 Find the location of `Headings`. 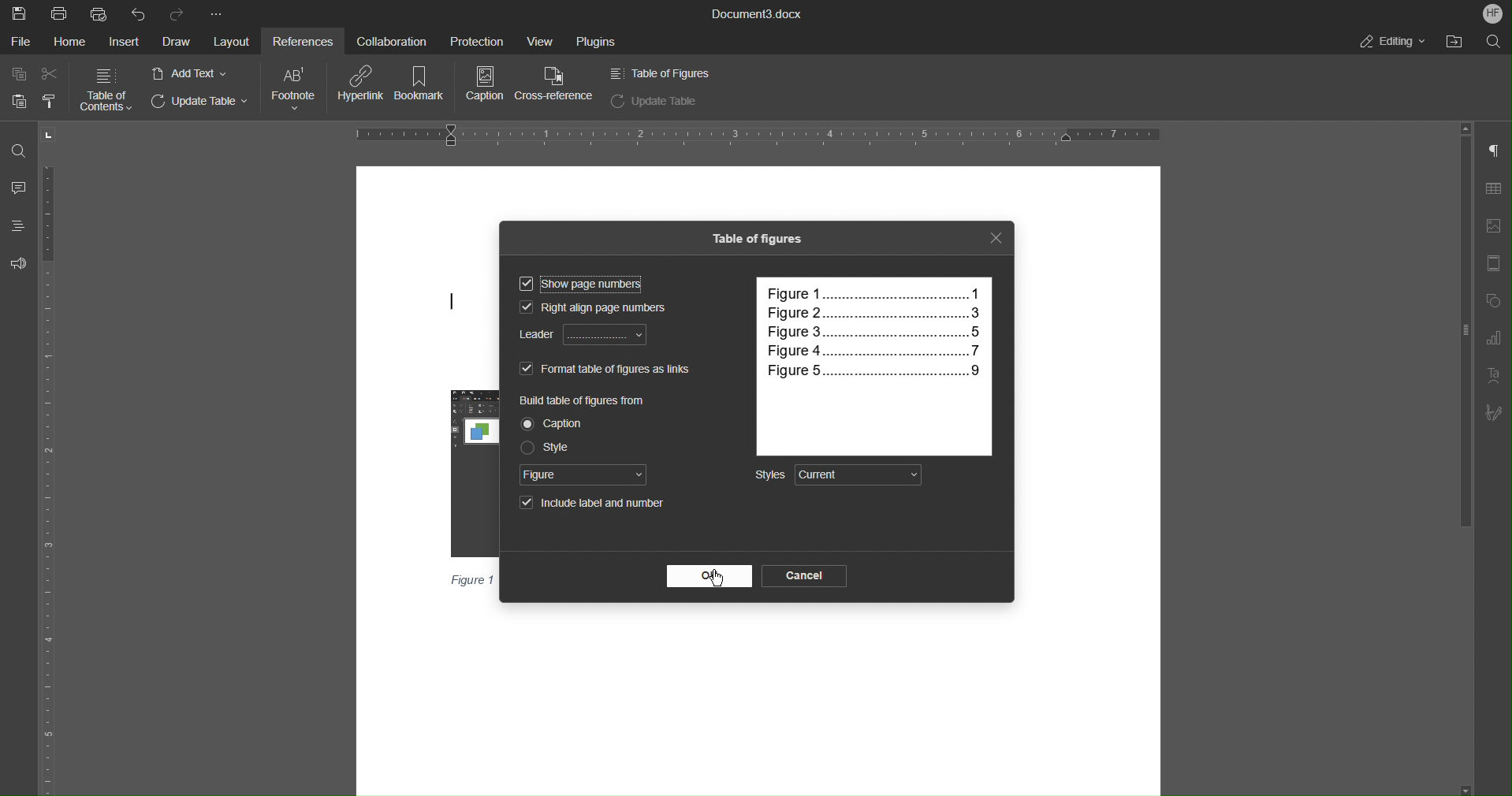

Headings is located at coordinates (16, 225).